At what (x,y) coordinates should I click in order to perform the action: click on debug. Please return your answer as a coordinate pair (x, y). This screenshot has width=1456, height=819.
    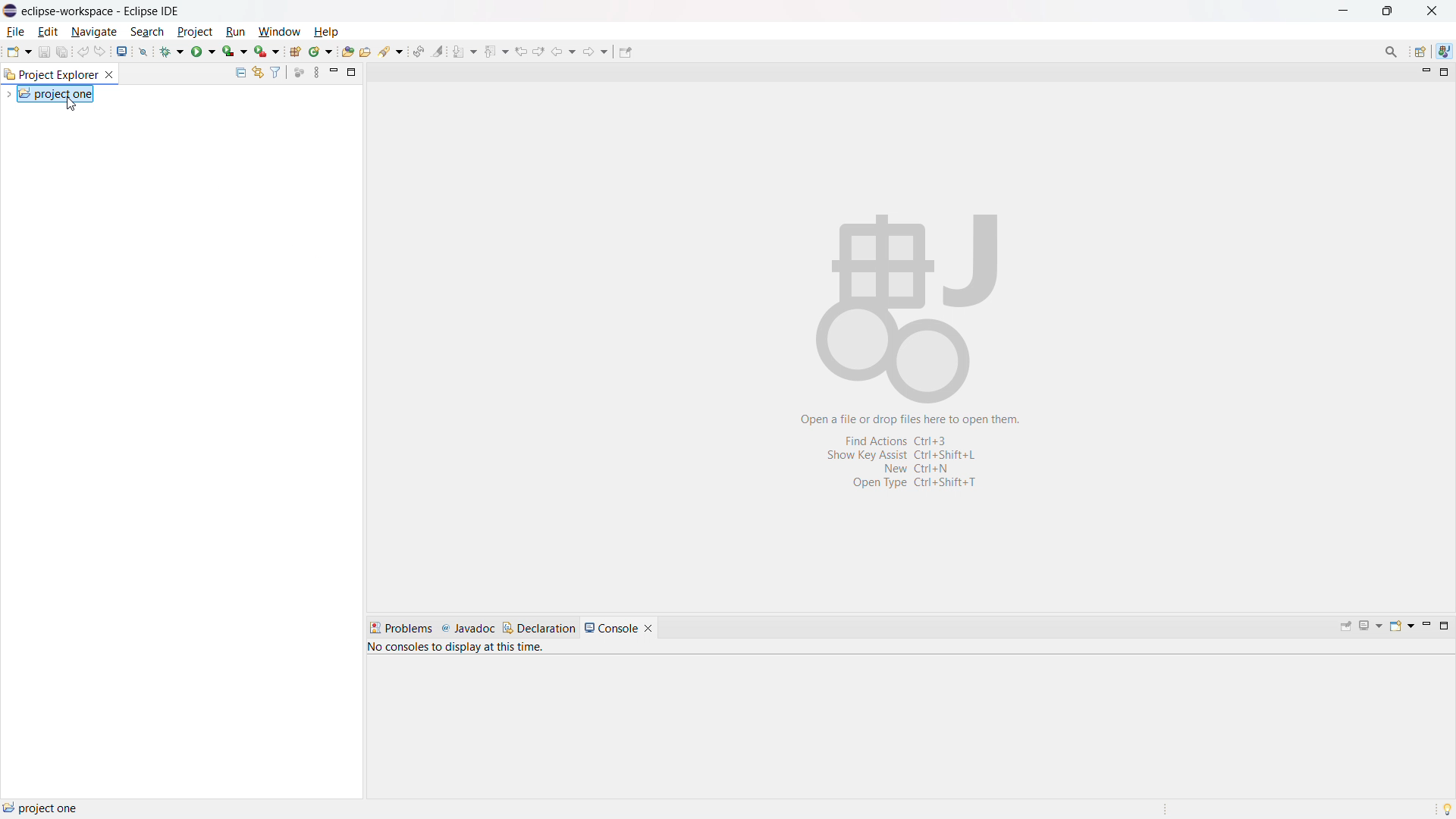
    Looking at the image, I should click on (172, 50).